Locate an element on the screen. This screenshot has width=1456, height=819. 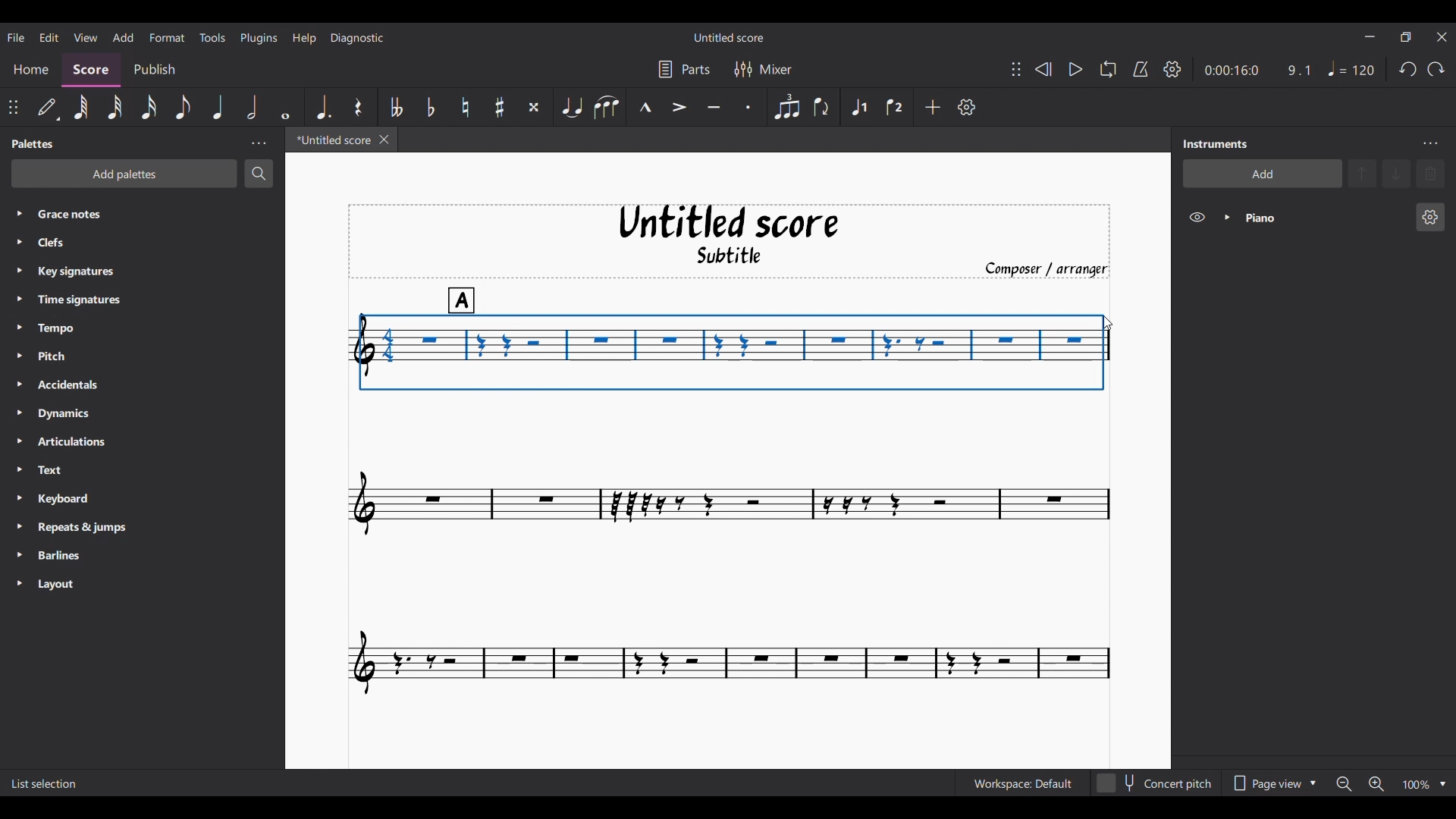
Minimize is located at coordinates (1369, 36).